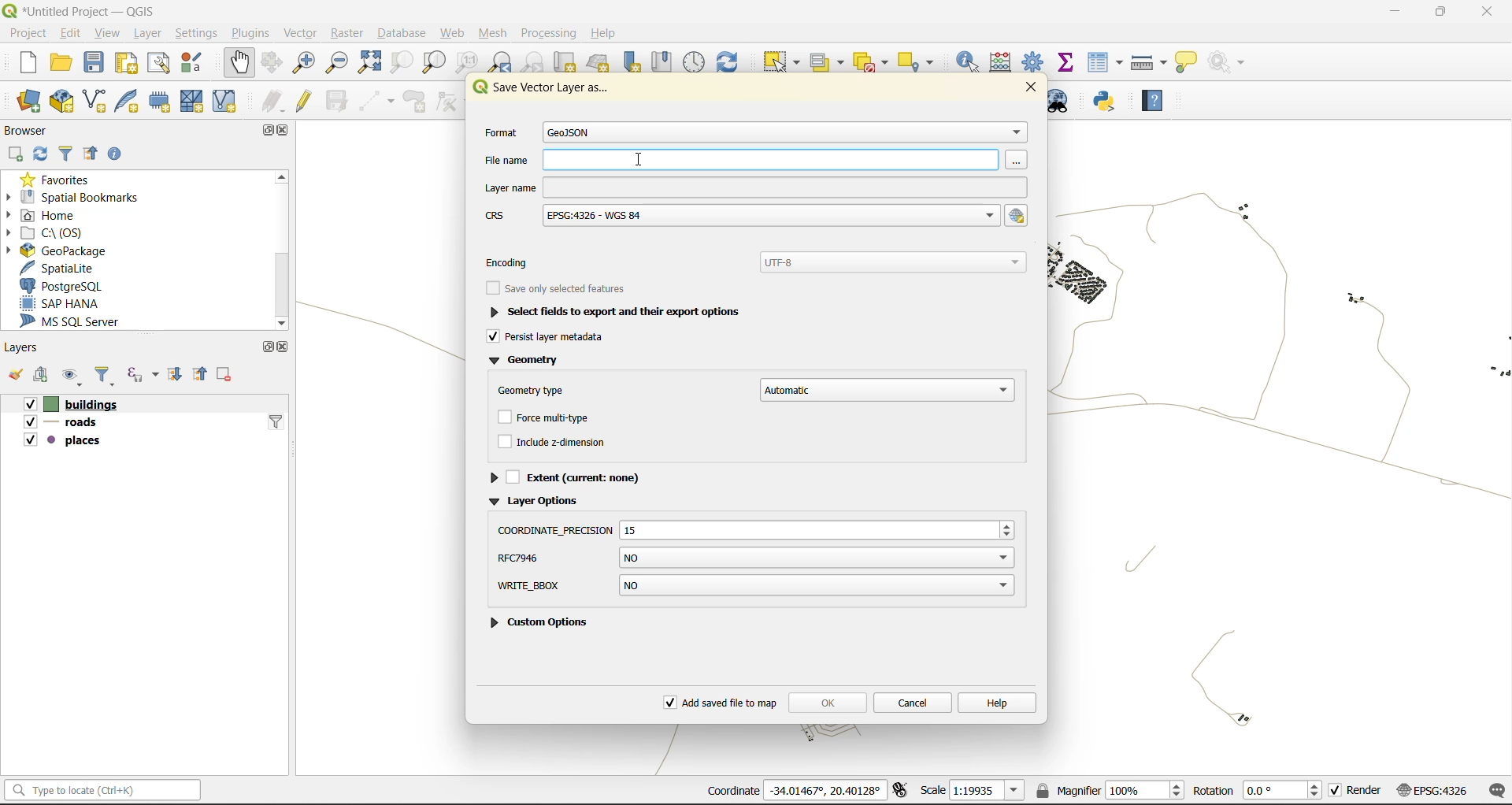  I want to click on plugins, so click(255, 32).